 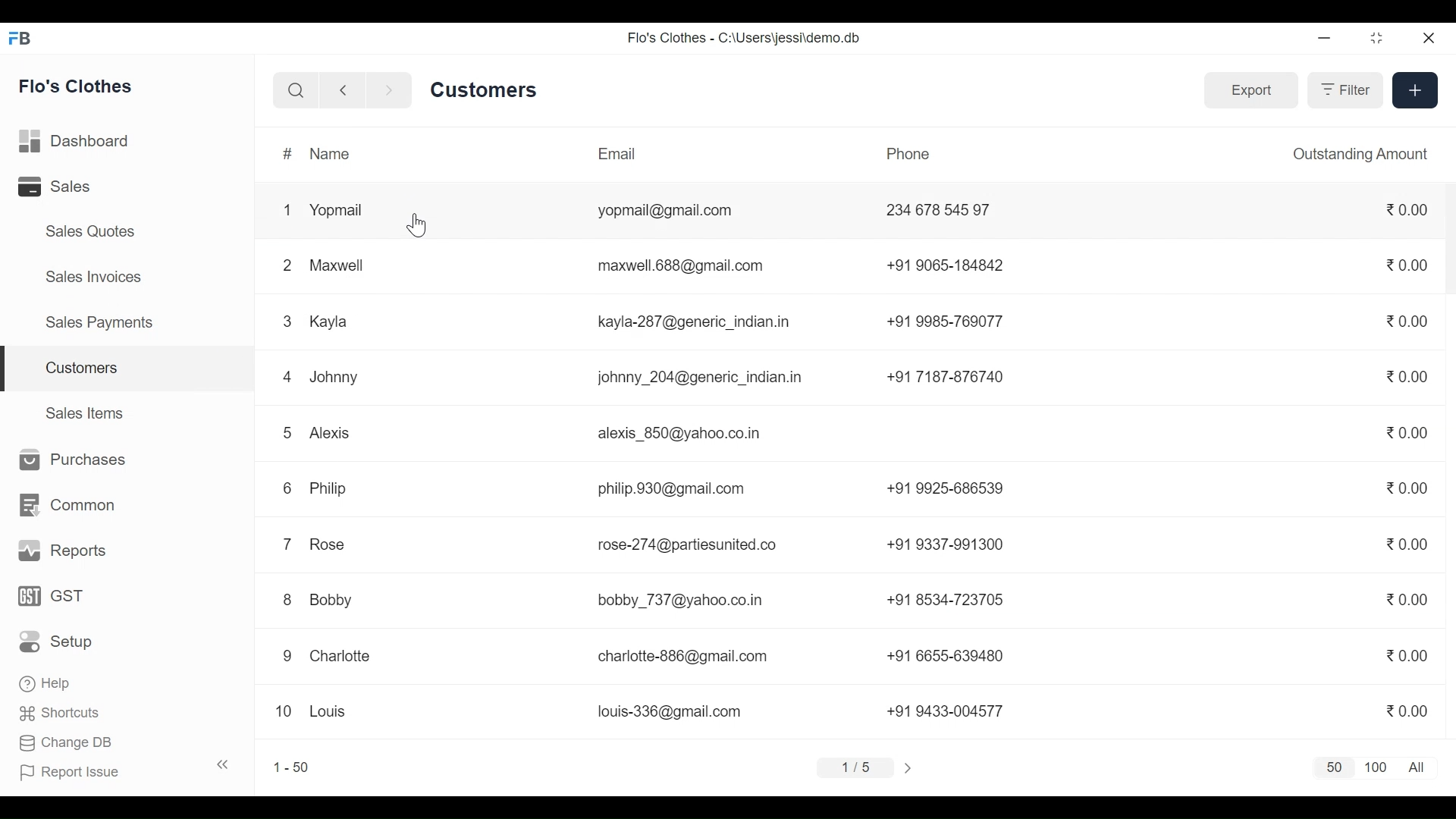 I want to click on Louis, so click(x=326, y=711).